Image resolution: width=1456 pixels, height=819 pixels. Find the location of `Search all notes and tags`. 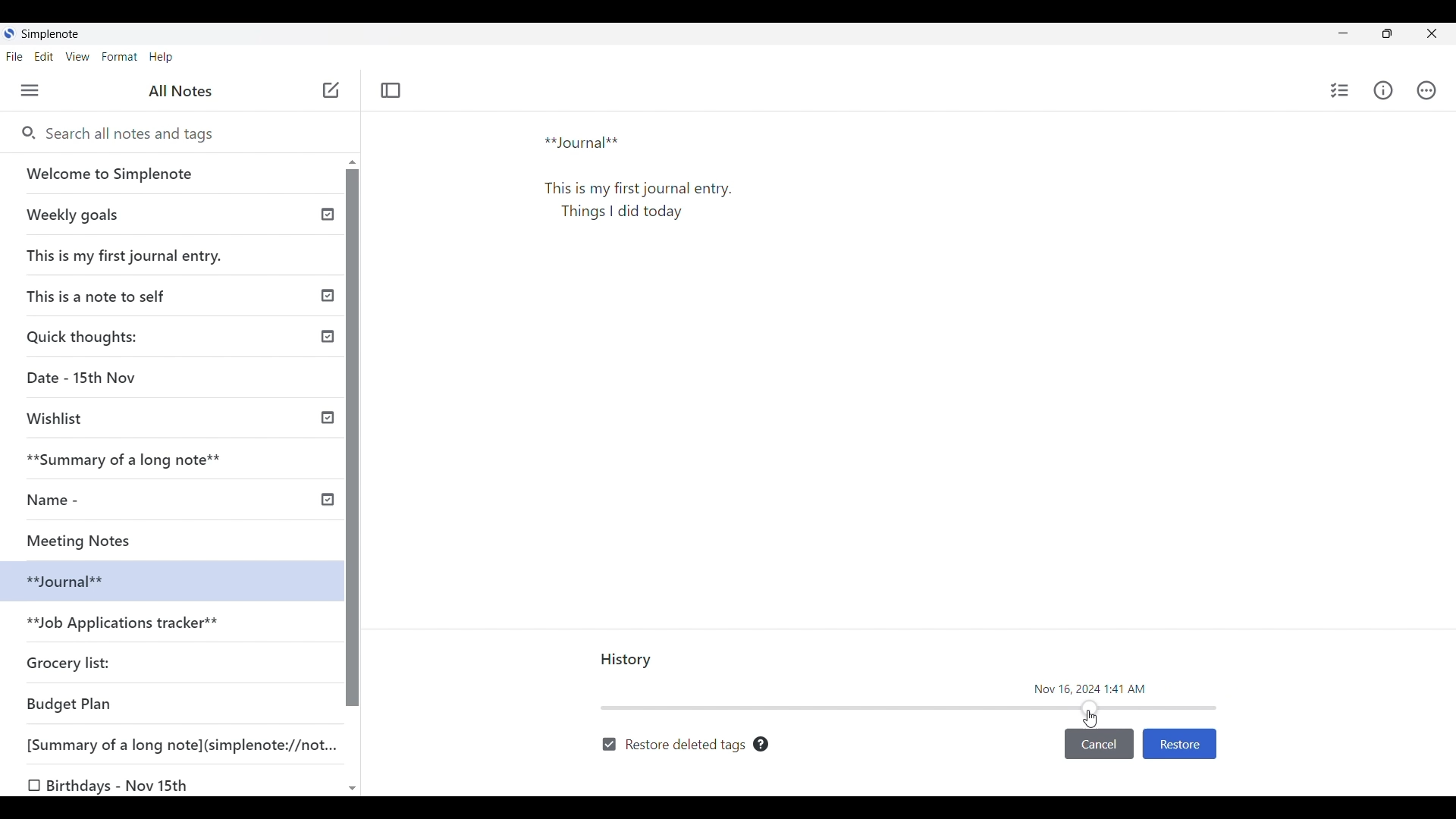

Search all notes and tags is located at coordinates (189, 134).